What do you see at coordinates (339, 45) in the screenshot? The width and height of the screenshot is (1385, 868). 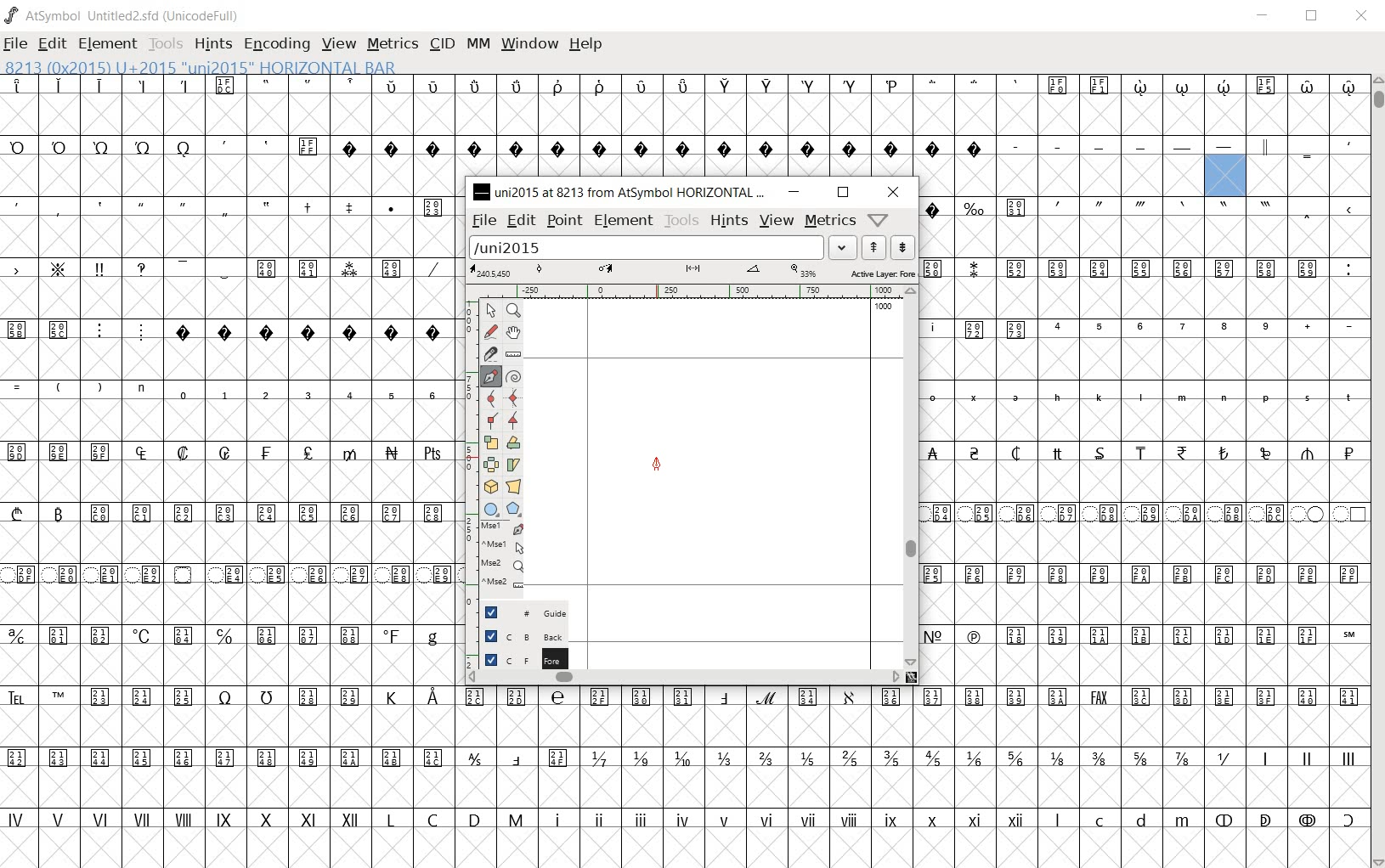 I see `VIEW` at bounding box center [339, 45].